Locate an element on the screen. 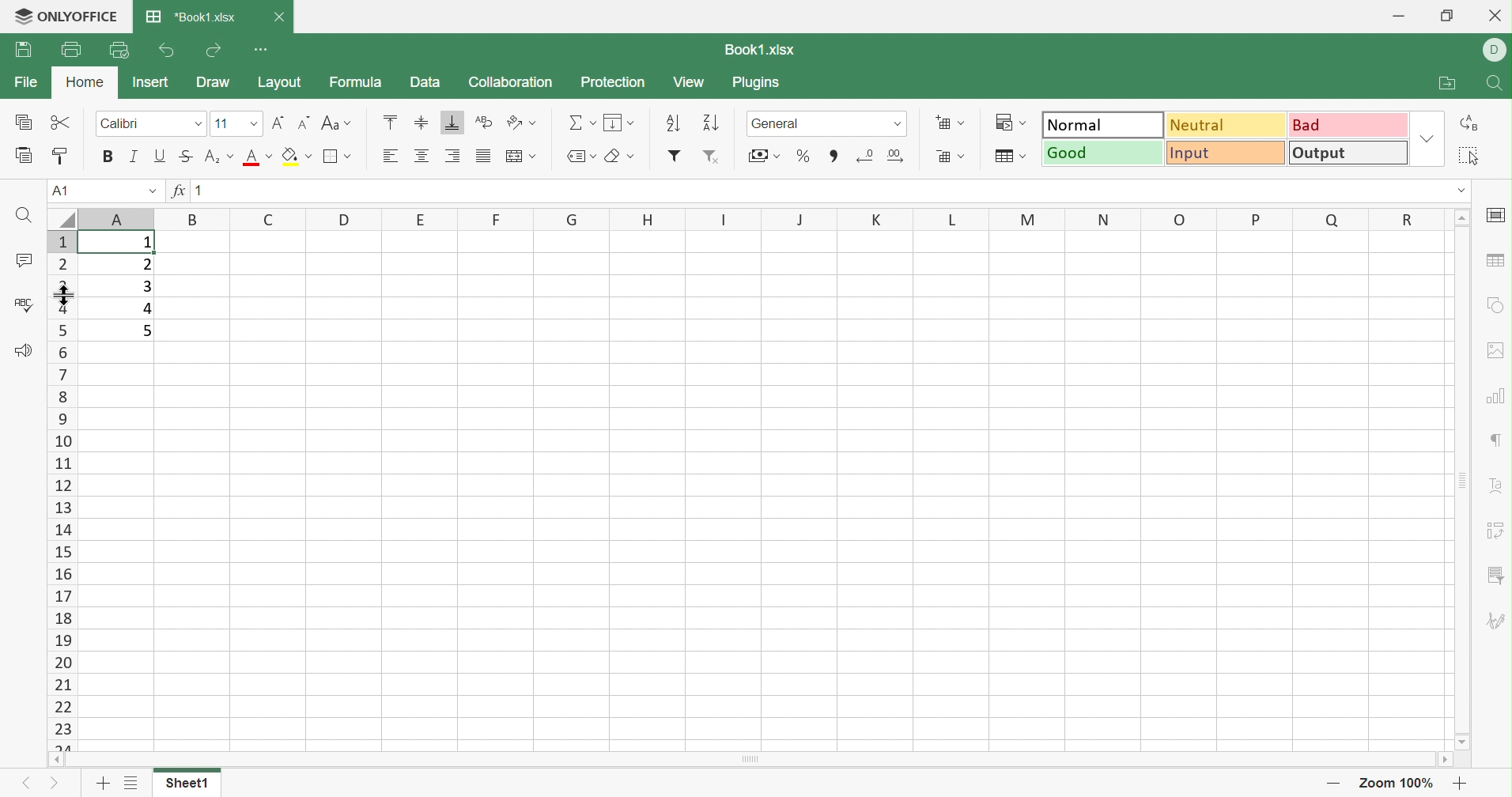 The width and height of the screenshot is (1512, 797). Drop Down is located at coordinates (536, 123).